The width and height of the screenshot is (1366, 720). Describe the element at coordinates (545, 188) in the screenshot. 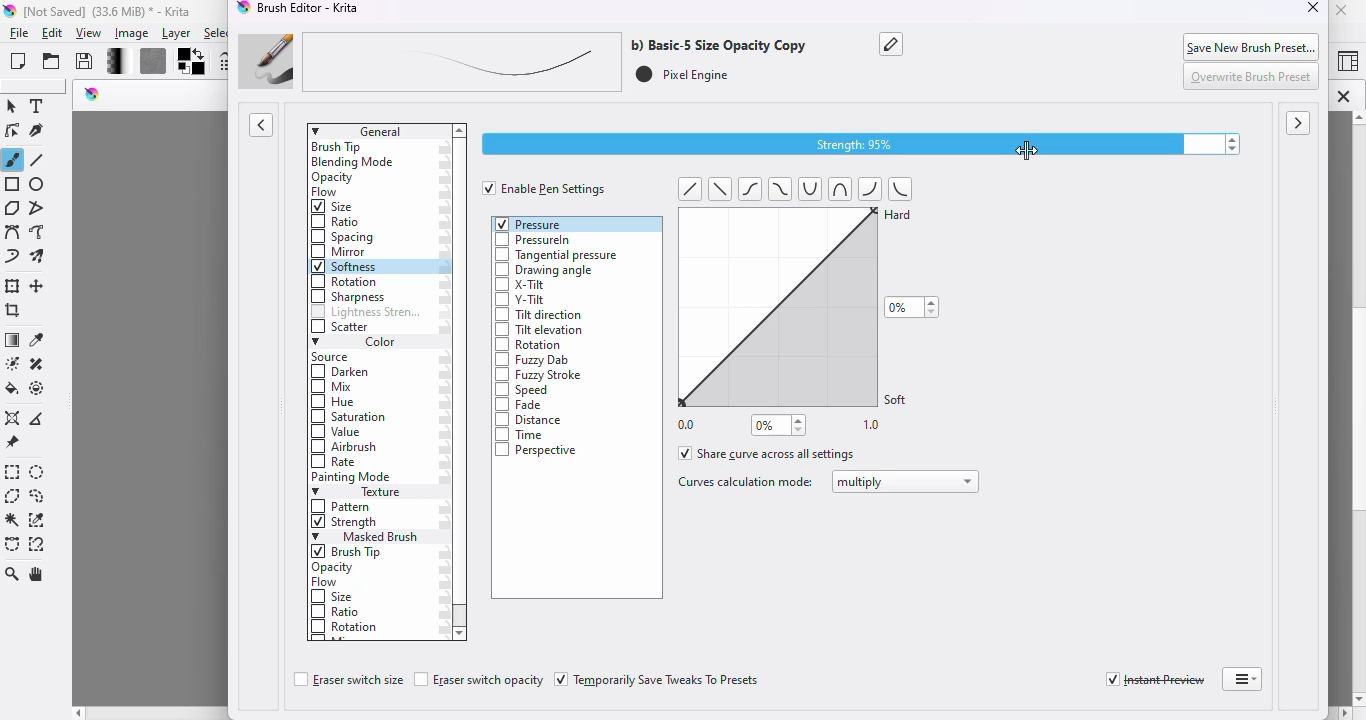

I see `enable pen settings` at that location.